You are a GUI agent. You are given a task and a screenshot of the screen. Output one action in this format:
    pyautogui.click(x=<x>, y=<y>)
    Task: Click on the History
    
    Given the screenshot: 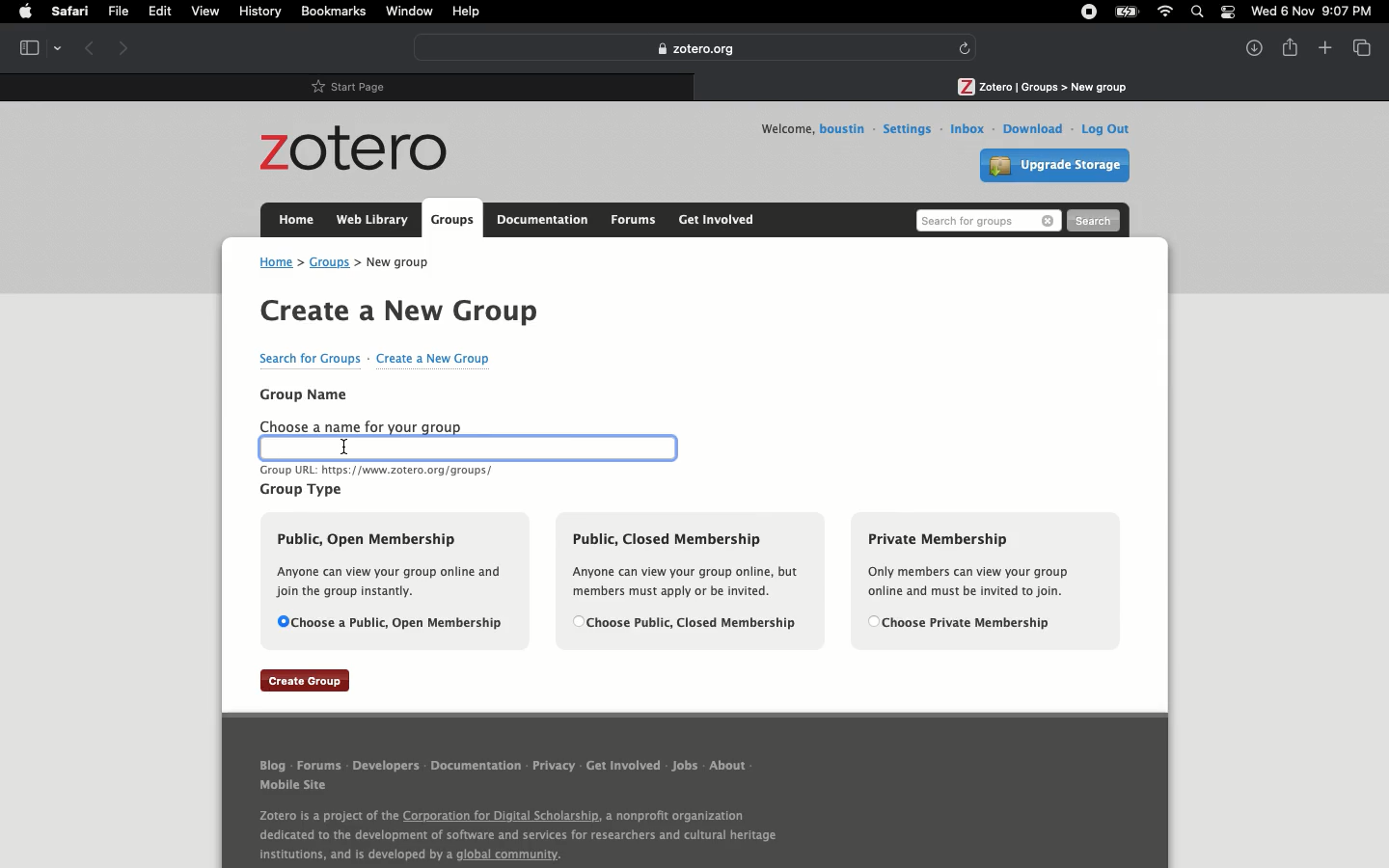 What is the action you would take?
    pyautogui.click(x=259, y=13)
    